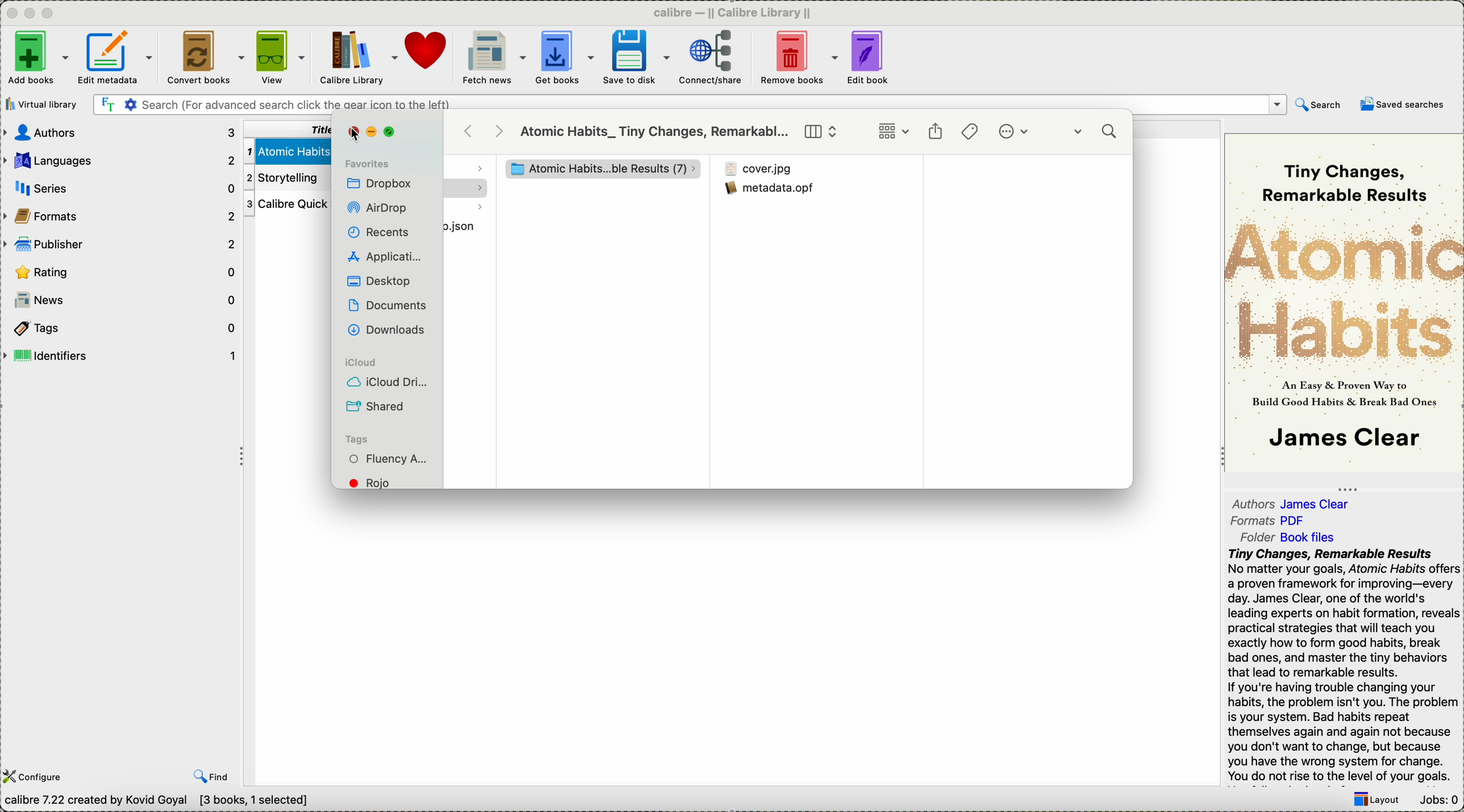 This screenshot has height=812, width=1464. I want to click on find, so click(211, 776).